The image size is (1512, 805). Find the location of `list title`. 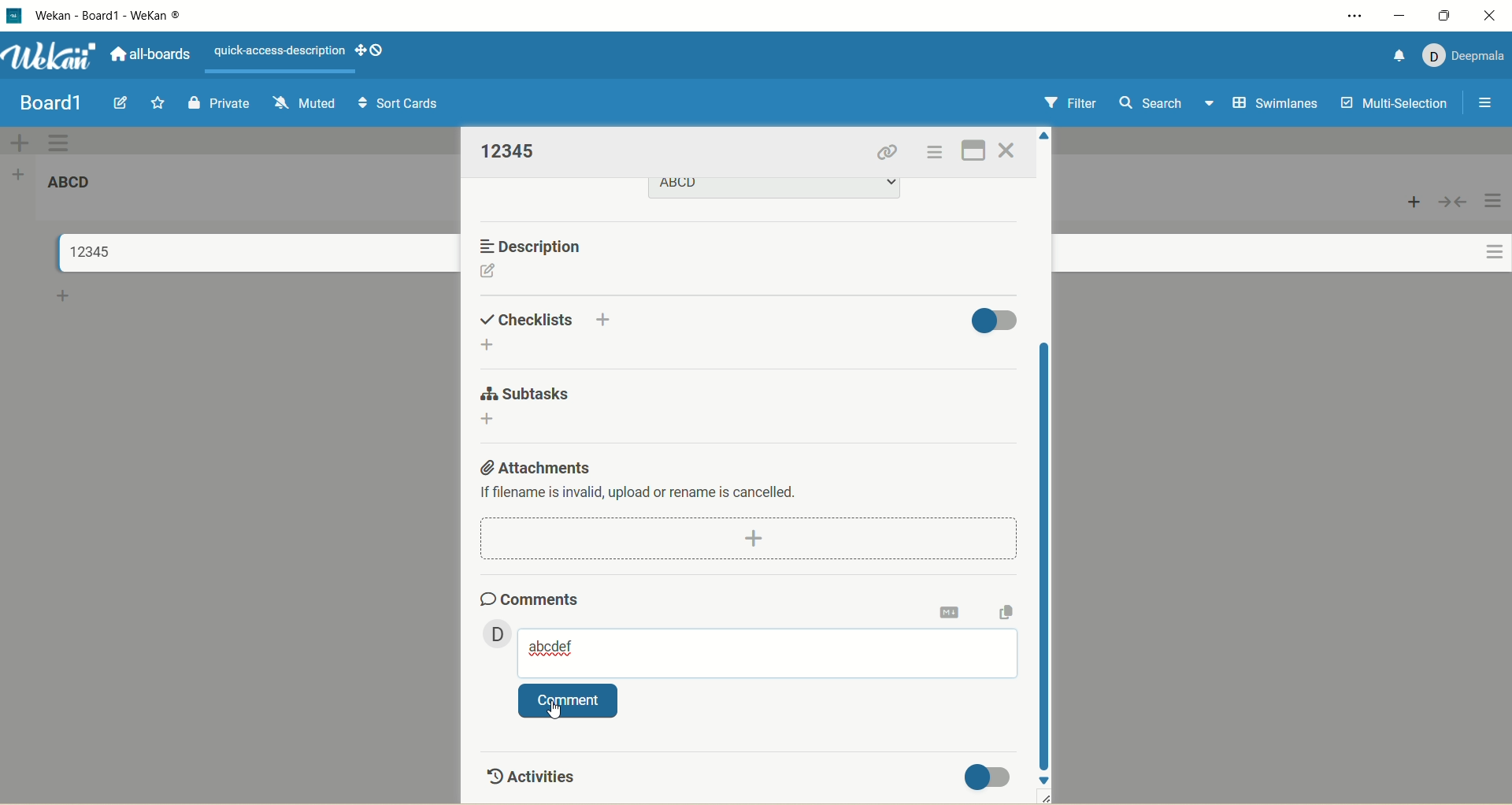

list title is located at coordinates (77, 187).